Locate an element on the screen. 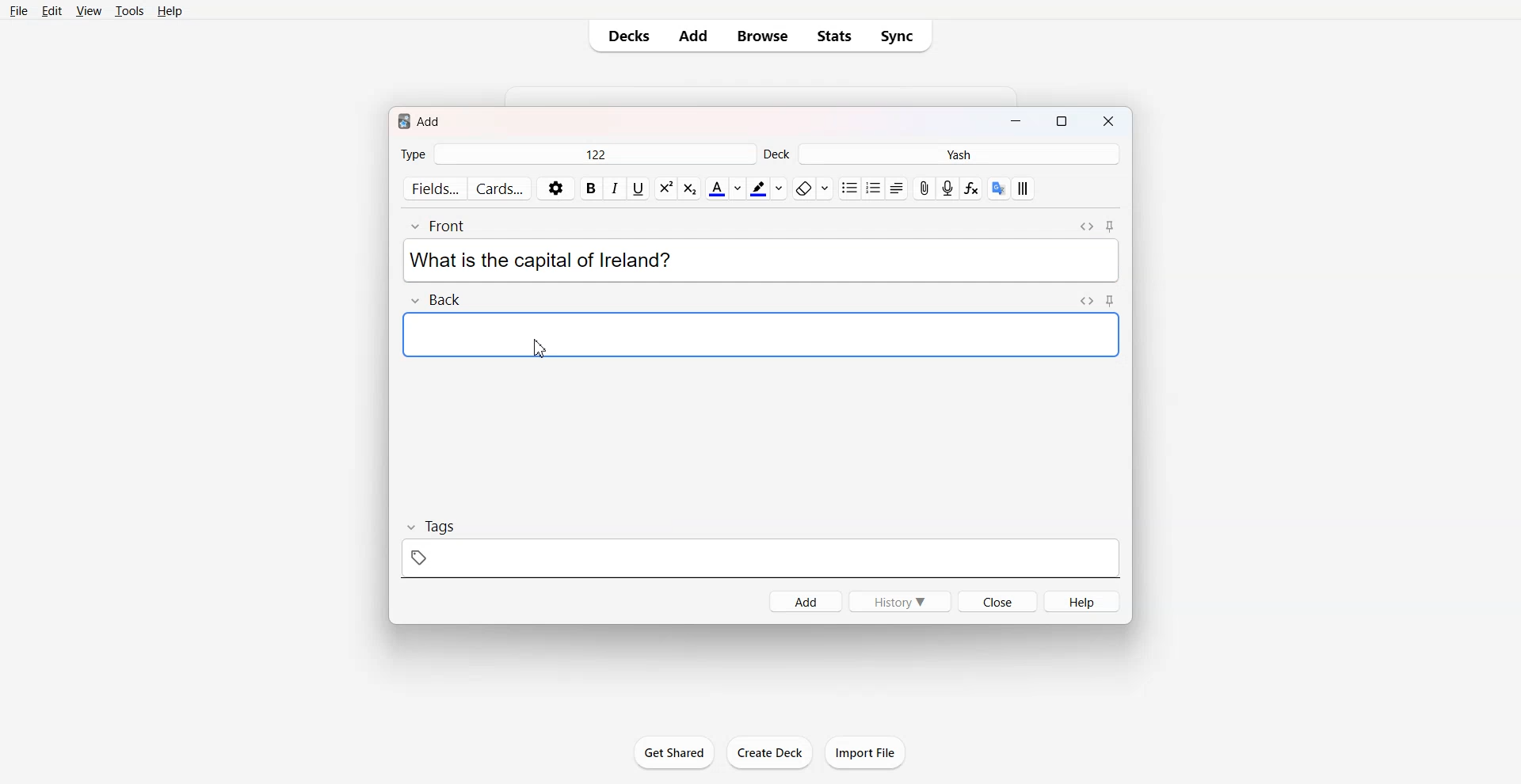  Toggle HTML Editor is located at coordinates (1088, 300).